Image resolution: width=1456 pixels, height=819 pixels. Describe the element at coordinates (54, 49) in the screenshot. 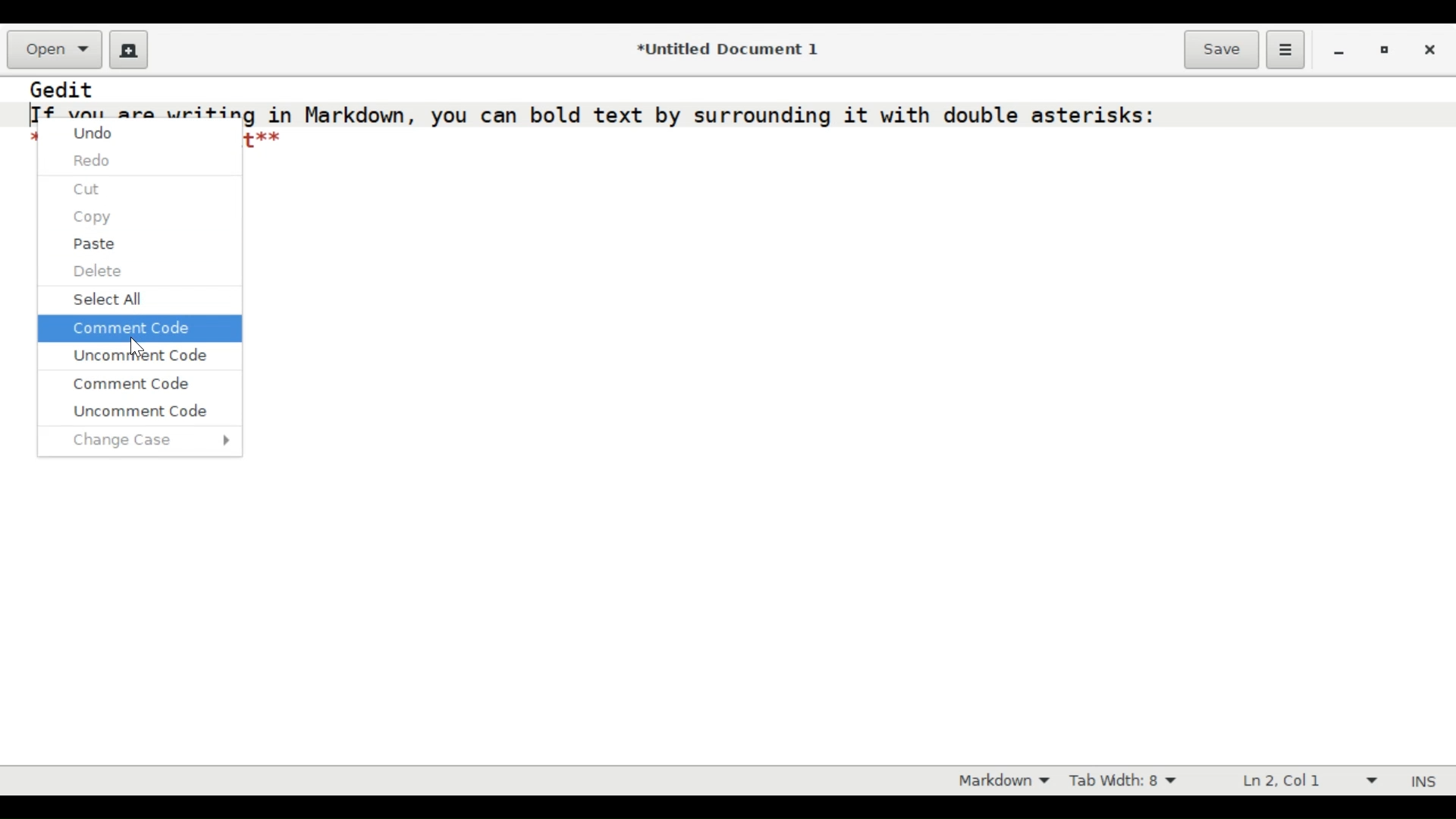

I see `Open` at that location.